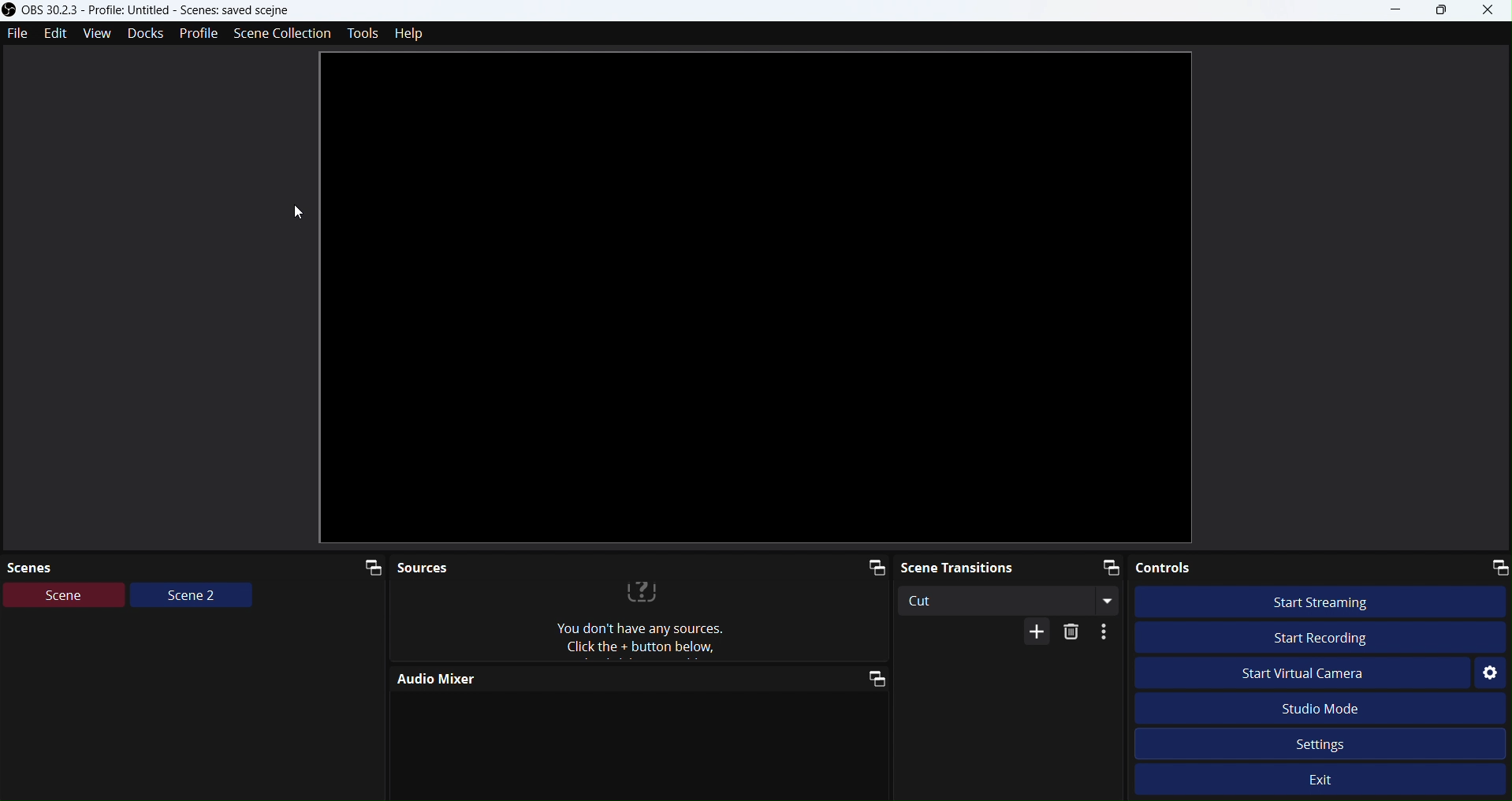 This screenshot has width=1512, height=801. Describe the element at coordinates (1395, 9) in the screenshot. I see `minimize` at that location.